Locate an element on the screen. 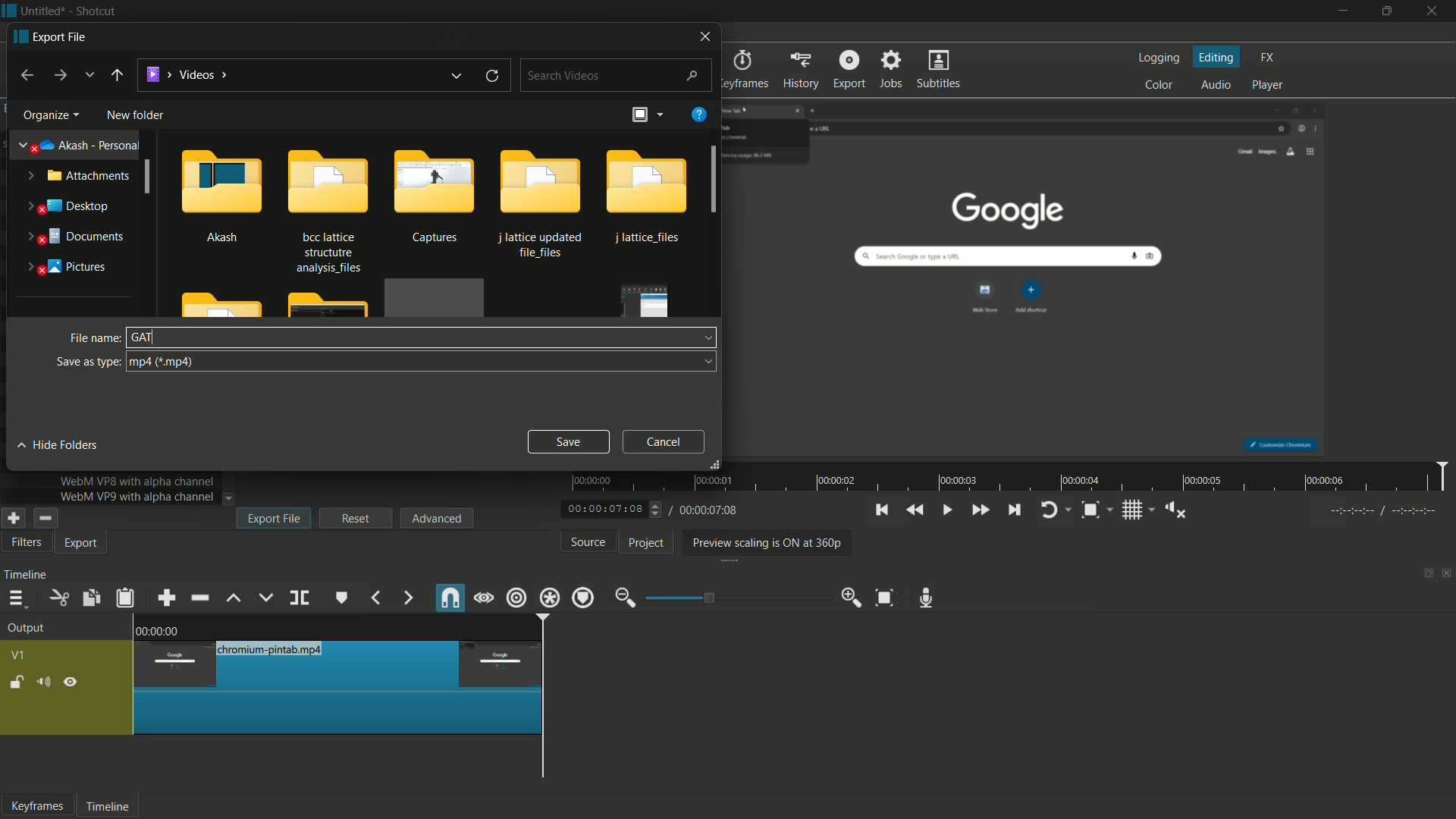  current time is located at coordinates (607, 510).